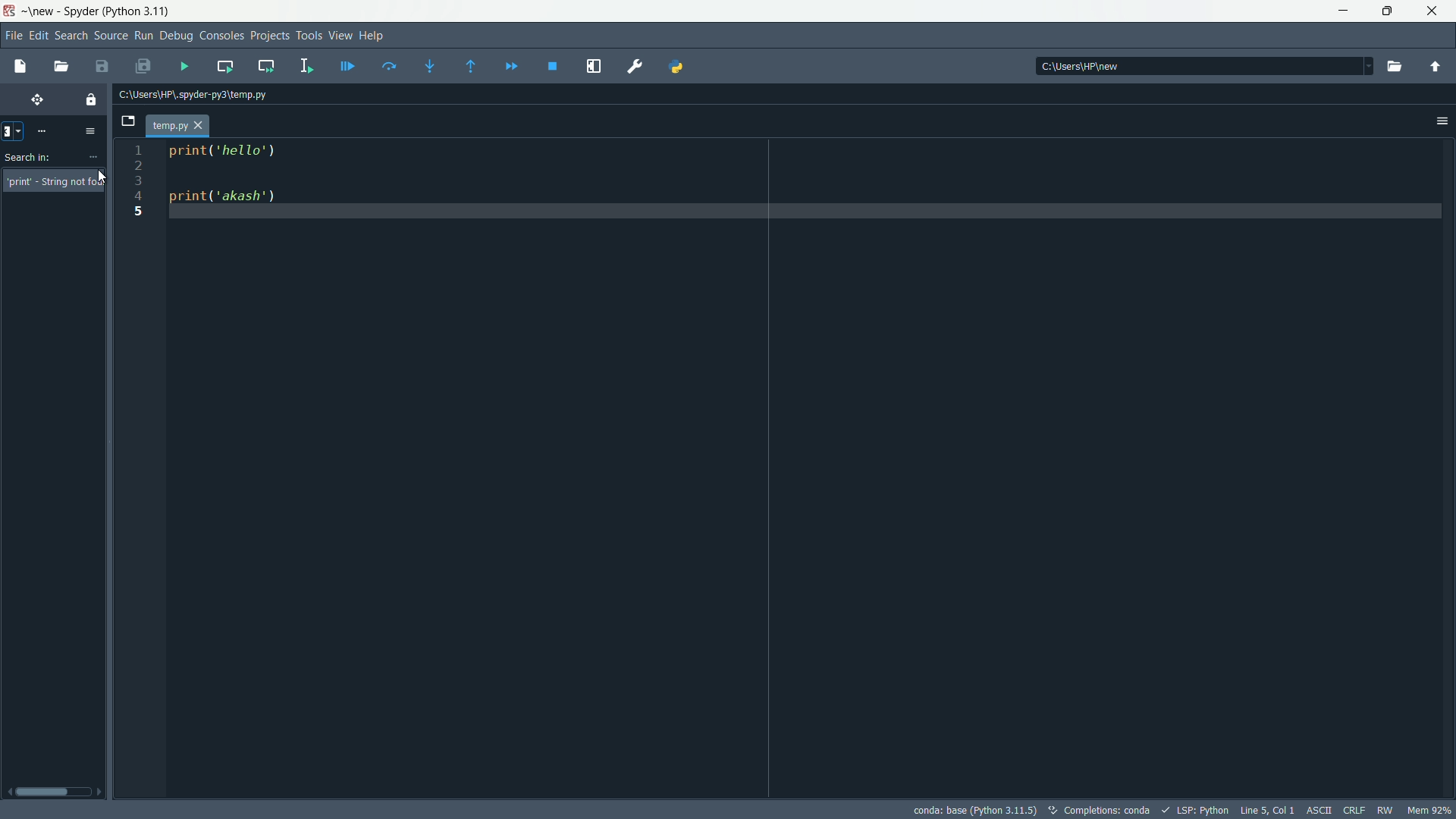  What do you see at coordinates (1441, 121) in the screenshot?
I see `settings` at bounding box center [1441, 121].